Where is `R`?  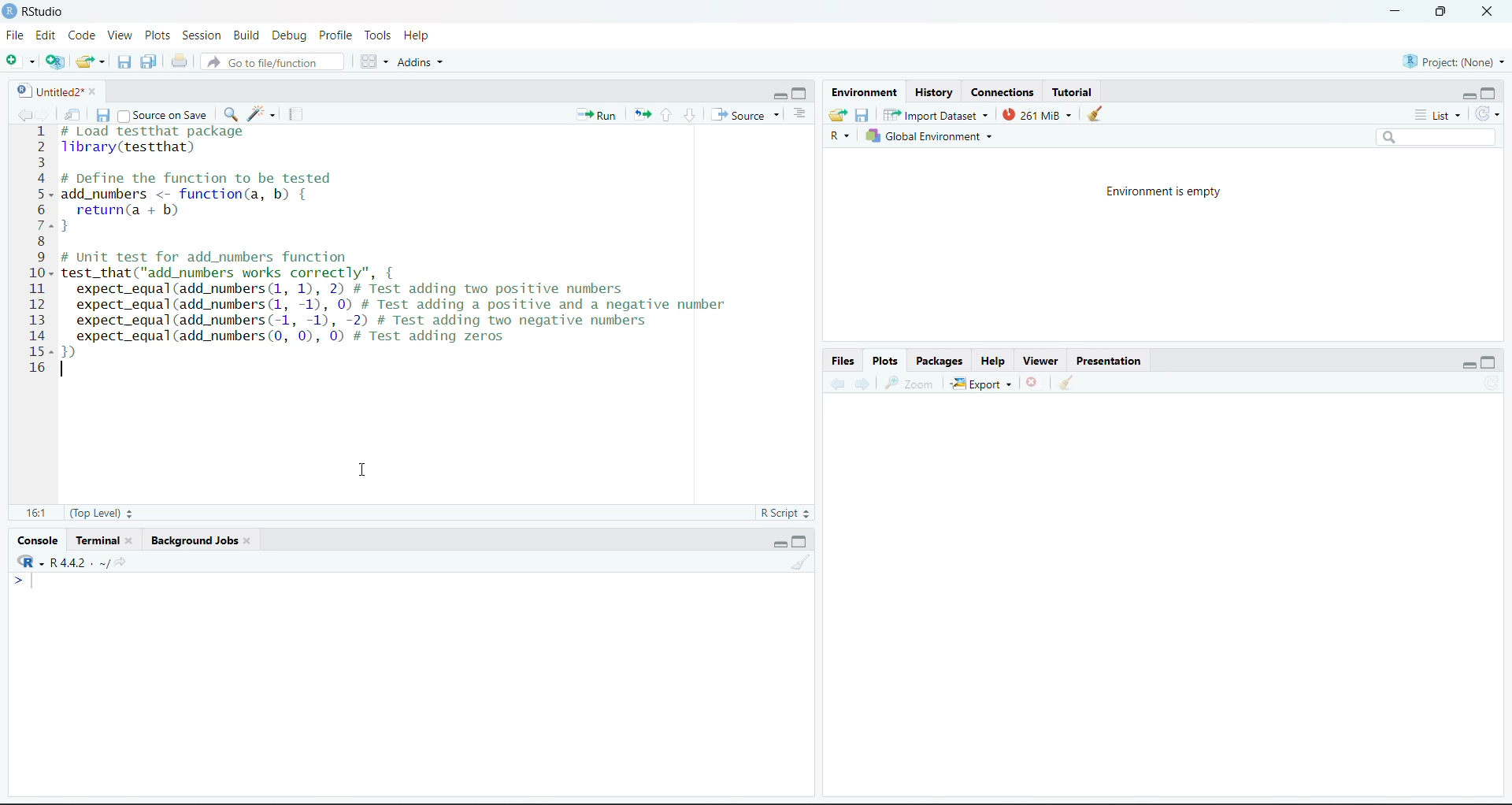
R is located at coordinates (837, 135).